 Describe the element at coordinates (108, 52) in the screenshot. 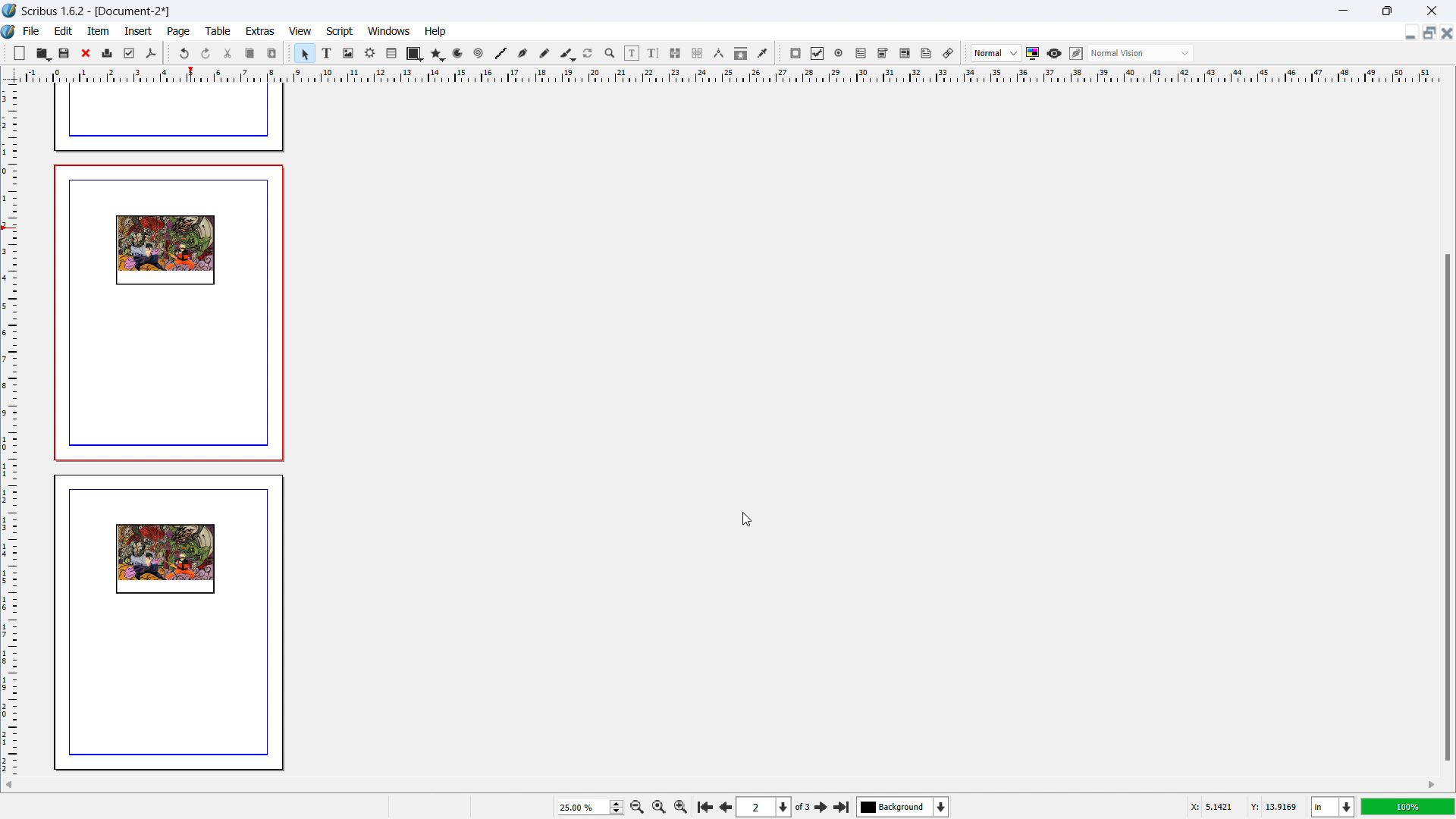

I see `print` at that location.